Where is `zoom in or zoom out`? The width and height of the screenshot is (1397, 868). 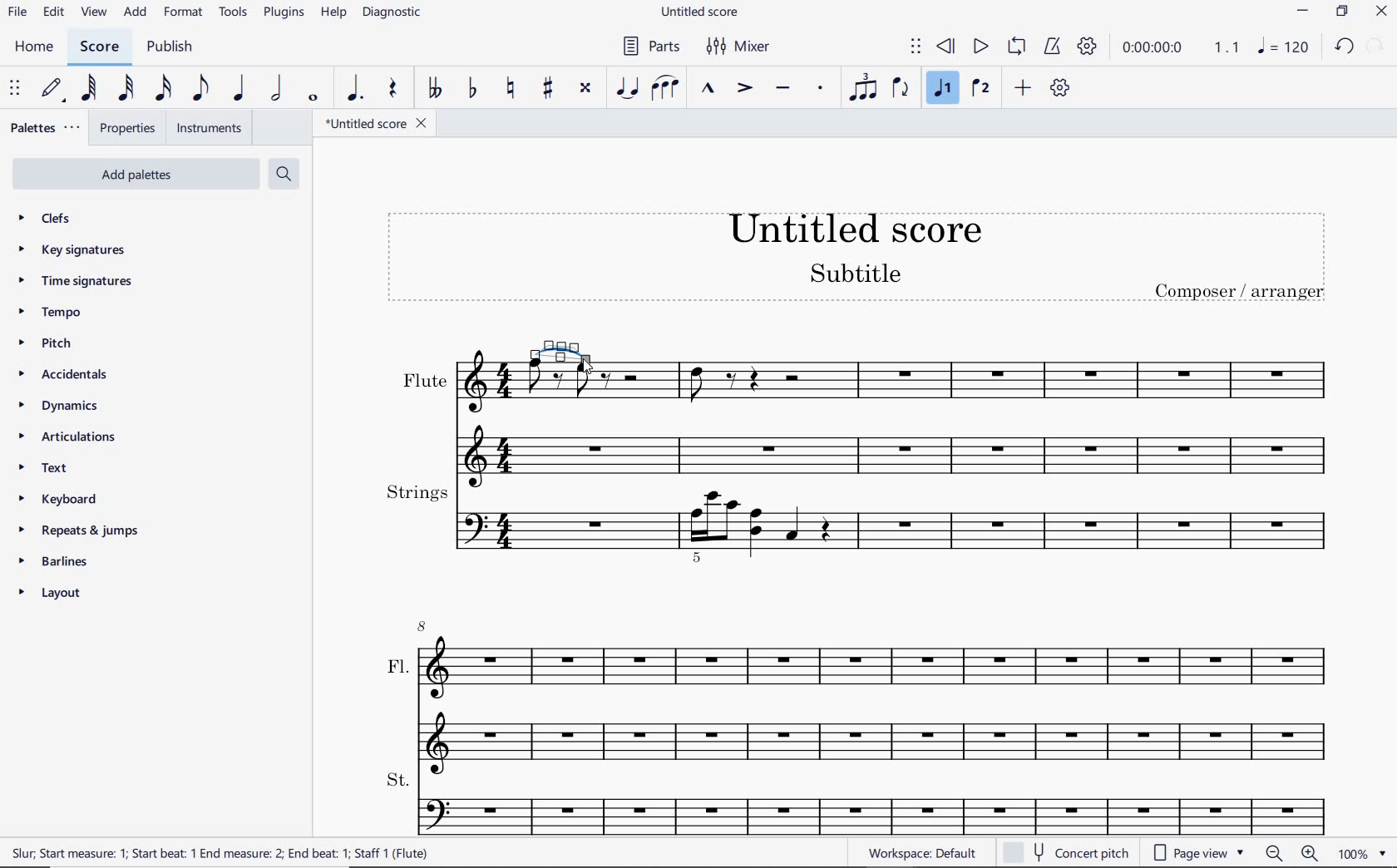 zoom in or zoom out is located at coordinates (1291, 851).